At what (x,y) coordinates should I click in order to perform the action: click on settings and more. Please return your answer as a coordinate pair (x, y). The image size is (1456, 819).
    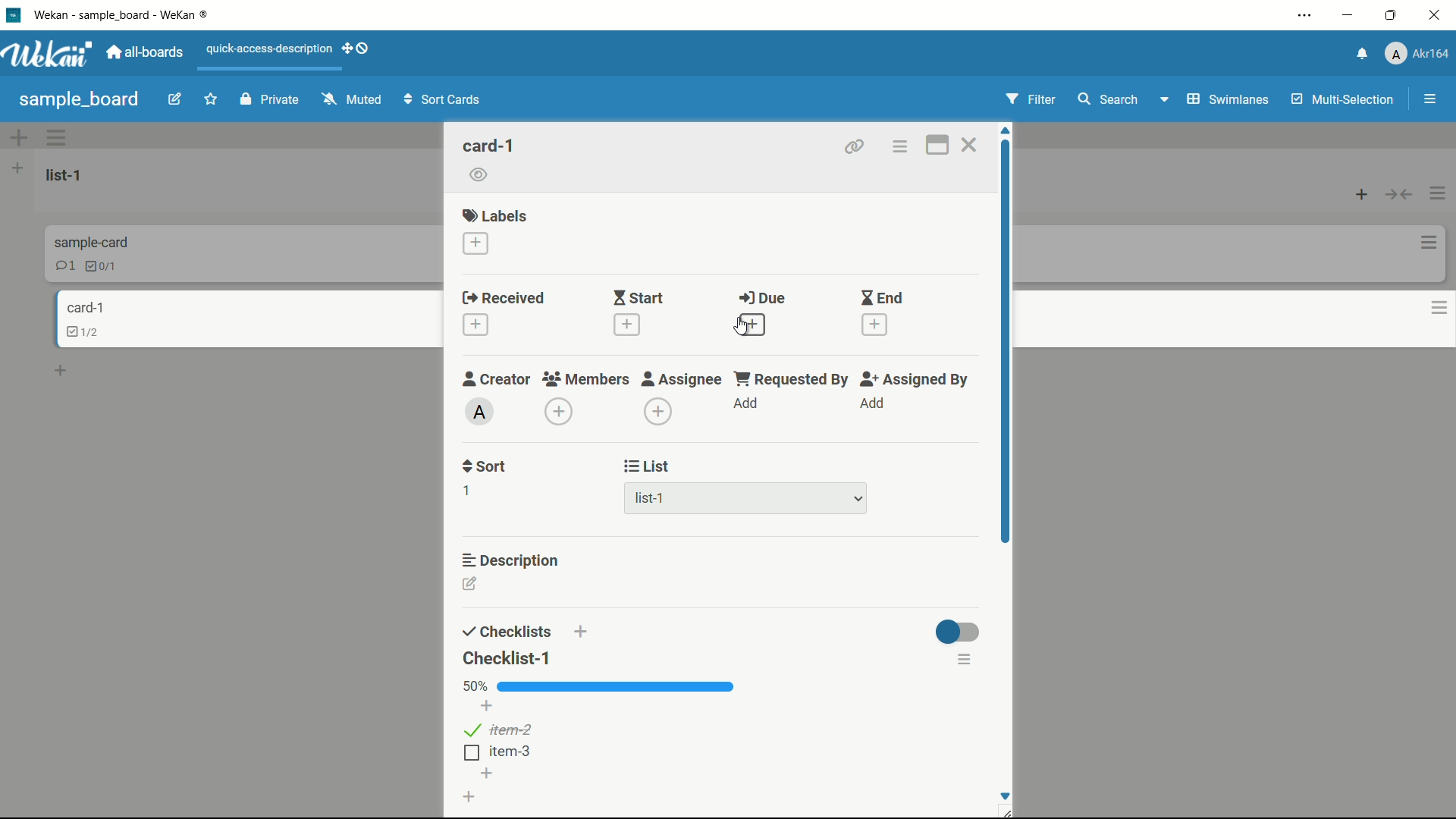
    Looking at the image, I should click on (1301, 14).